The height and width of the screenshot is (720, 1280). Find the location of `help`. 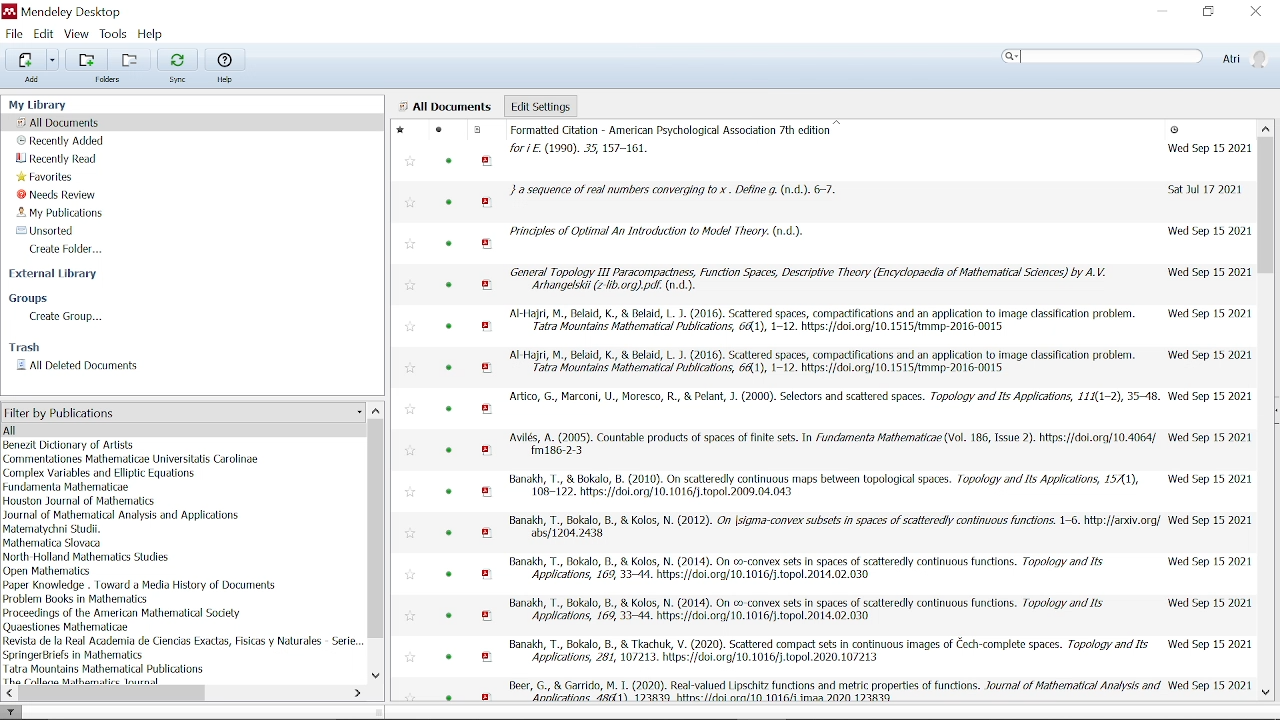

help is located at coordinates (225, 78).